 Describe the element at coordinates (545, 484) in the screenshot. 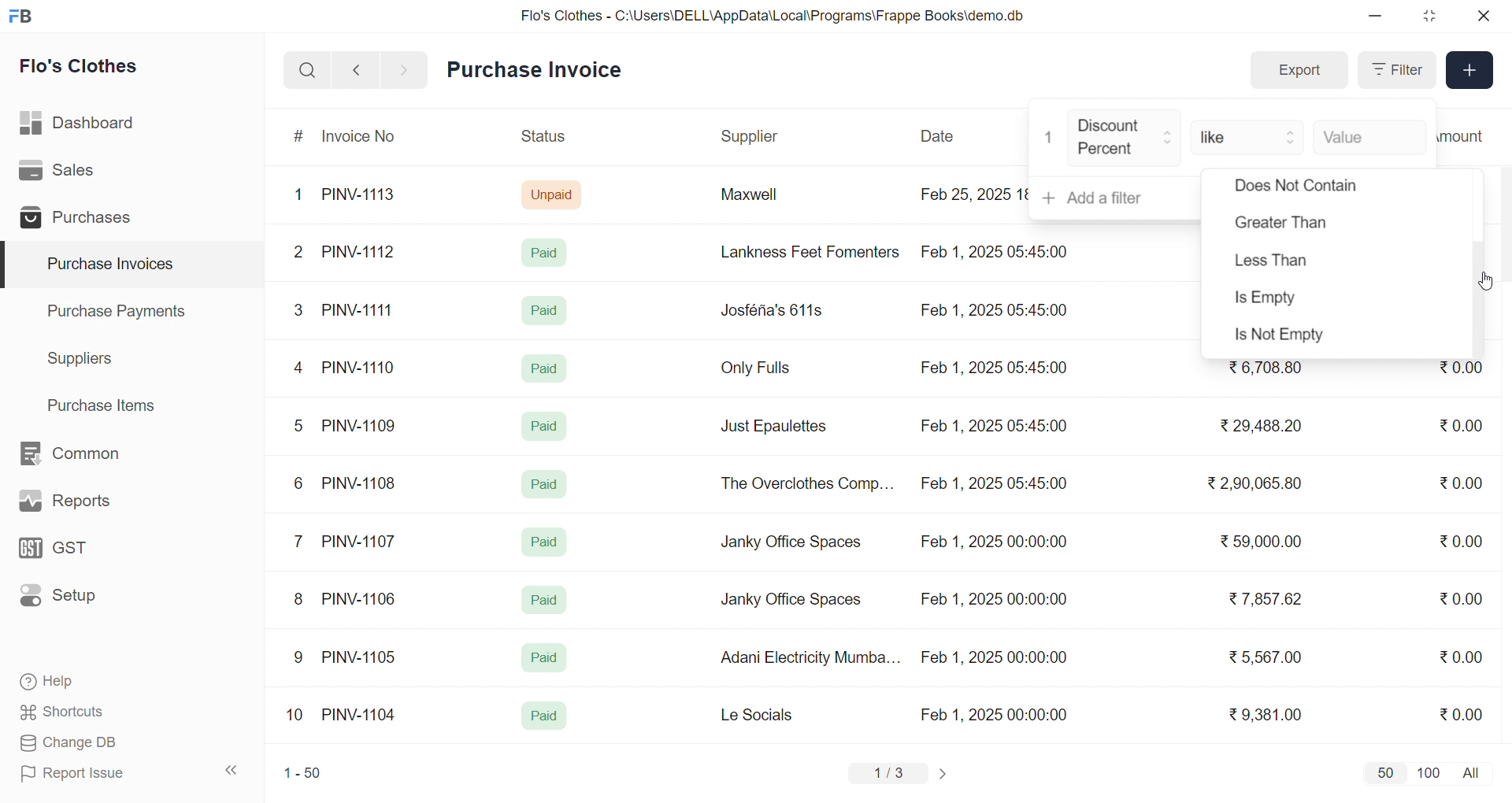

I see `Paid` at that location.